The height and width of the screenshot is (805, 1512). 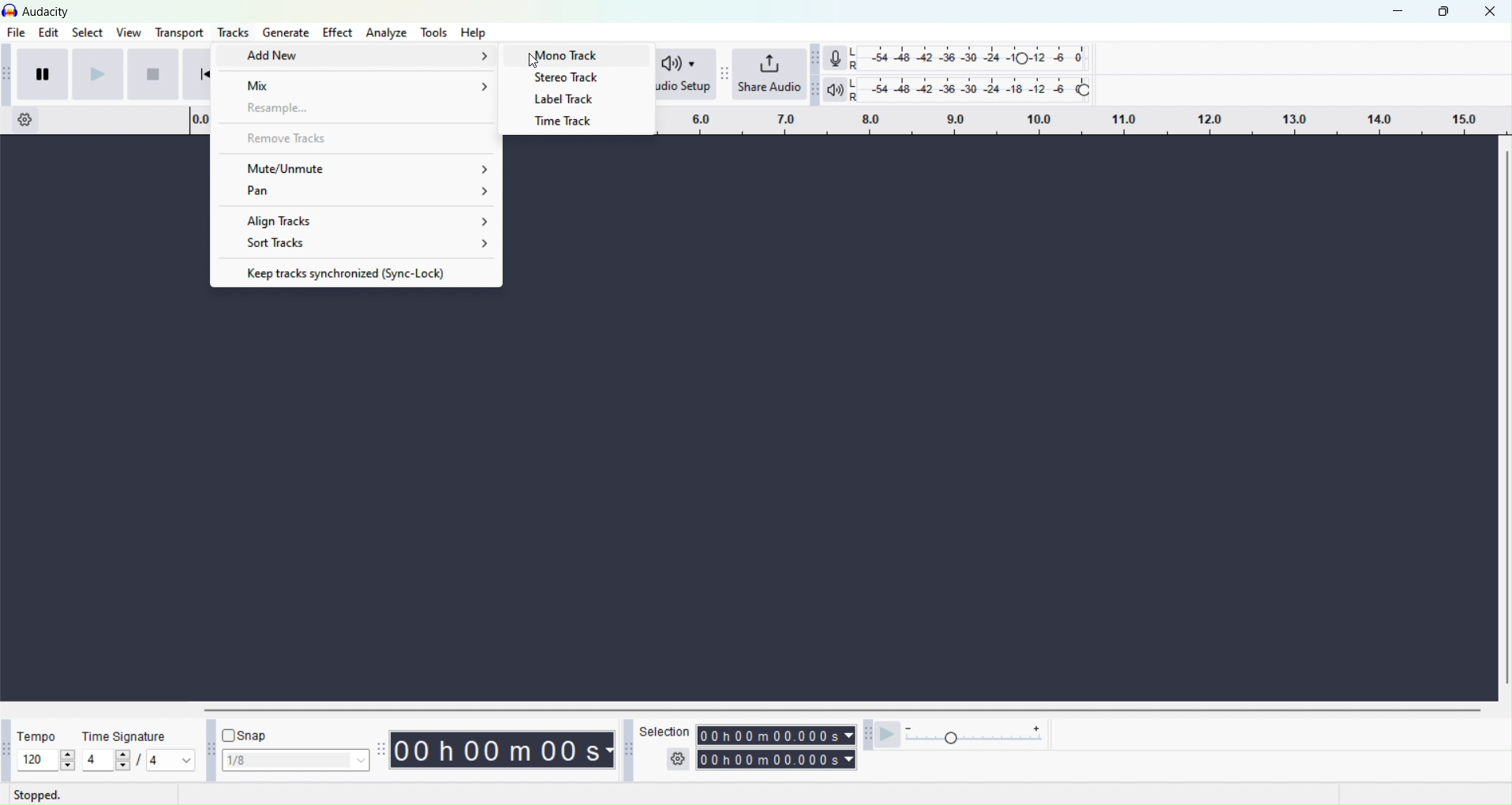 What do you see at coordinates (283, 32) in the screenshot?
I see `Generate` at bounding box center [283, 32].